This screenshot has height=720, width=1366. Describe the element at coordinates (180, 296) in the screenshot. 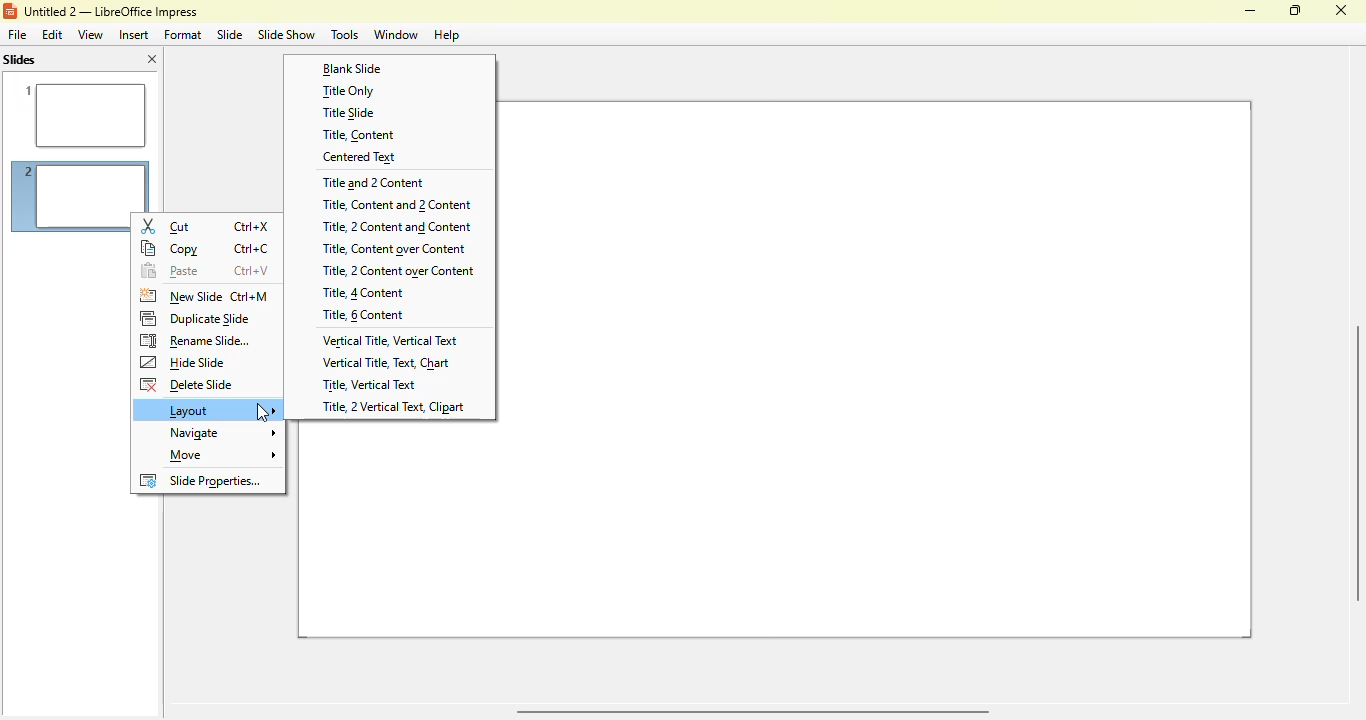

I see `new slide` at that location.